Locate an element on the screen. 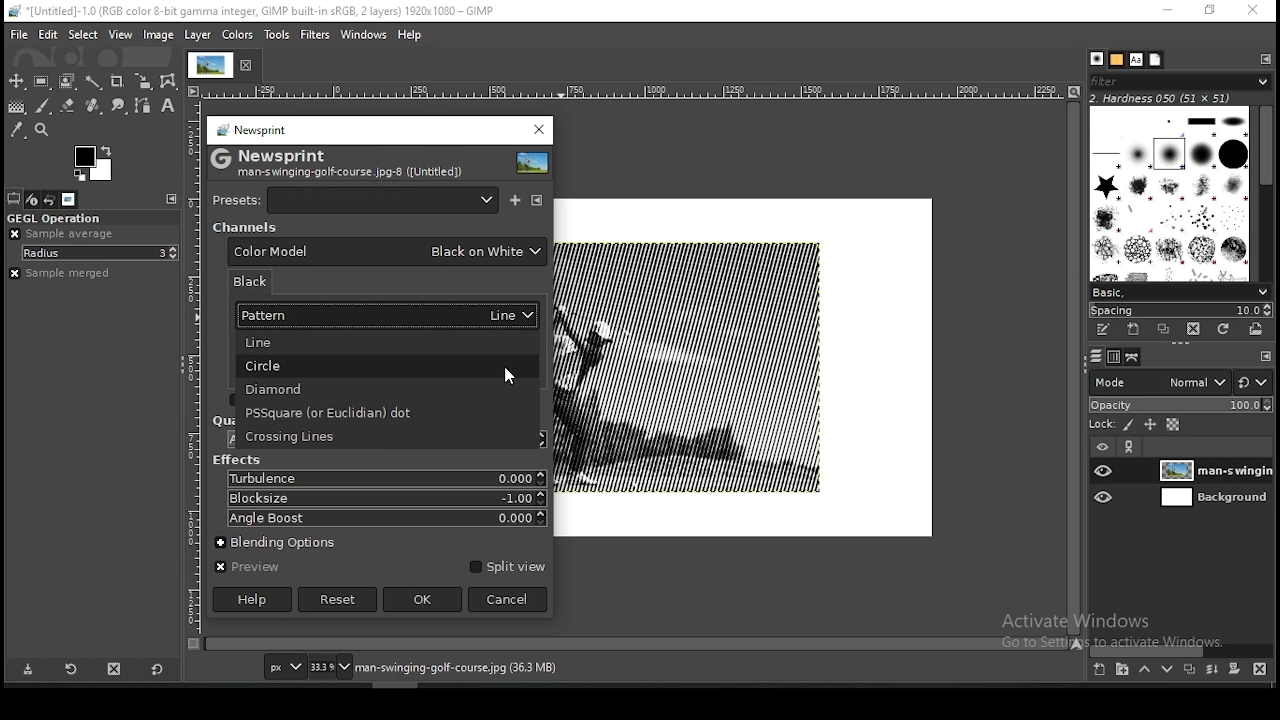 The height and width of the screenshot is (720, 1280). colors is located at coordinates (93, 163).